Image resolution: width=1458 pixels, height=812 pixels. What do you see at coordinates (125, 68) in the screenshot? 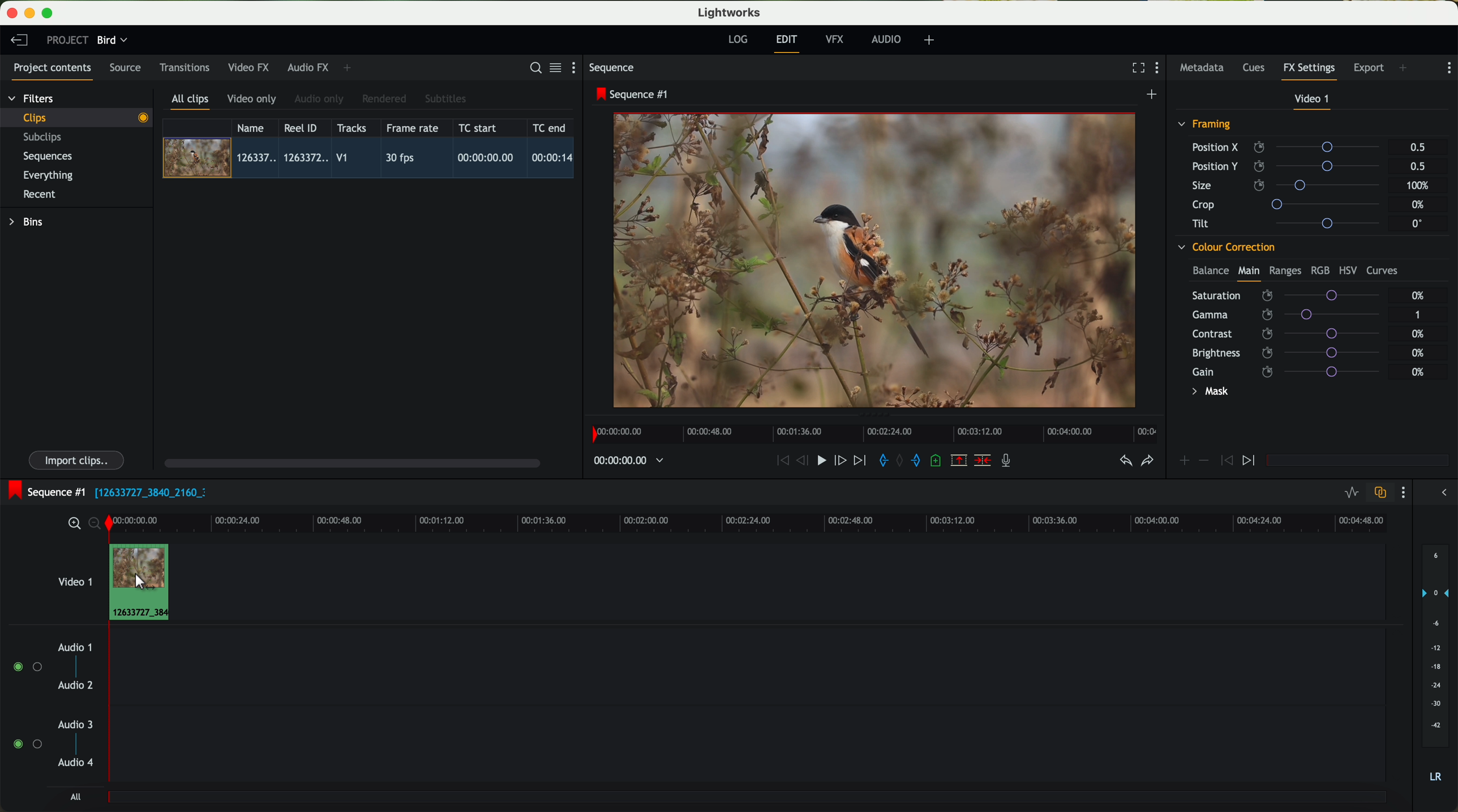
I see `source` at bounding box center [125, 68].